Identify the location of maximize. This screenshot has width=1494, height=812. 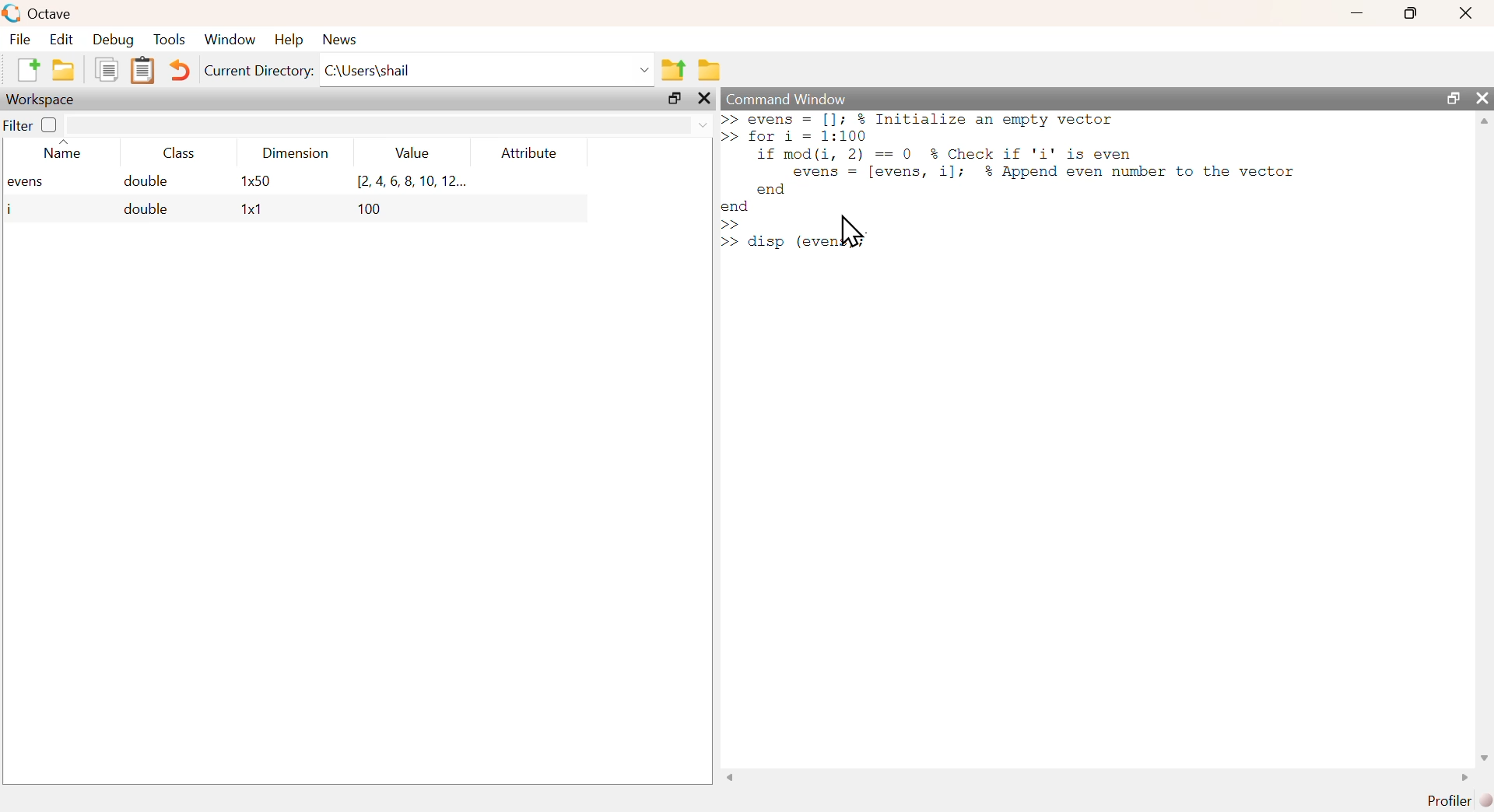
(670, 100).